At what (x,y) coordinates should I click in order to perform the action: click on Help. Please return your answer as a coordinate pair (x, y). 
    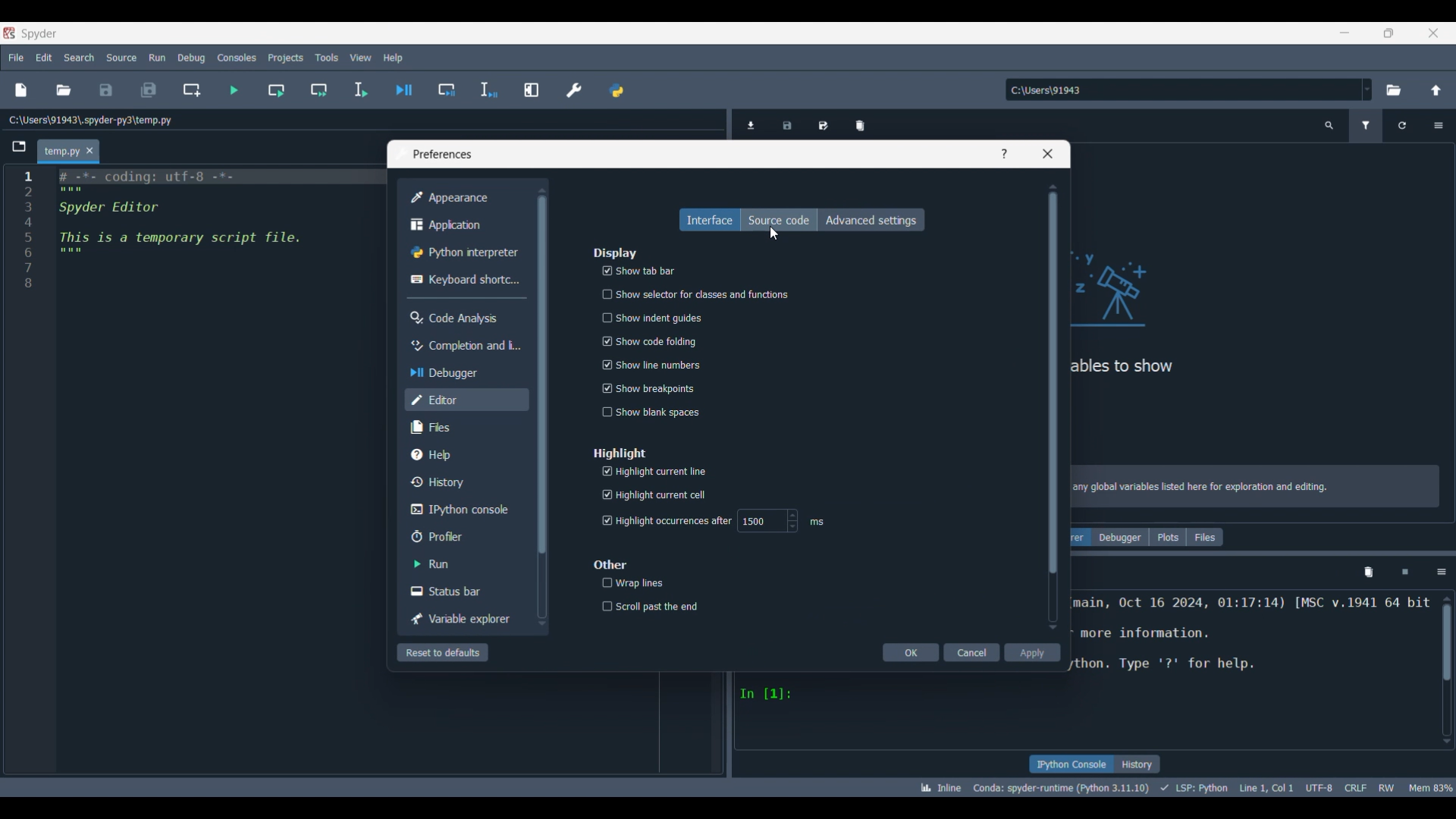
    Looking at the image, I should click on (1004, 153).